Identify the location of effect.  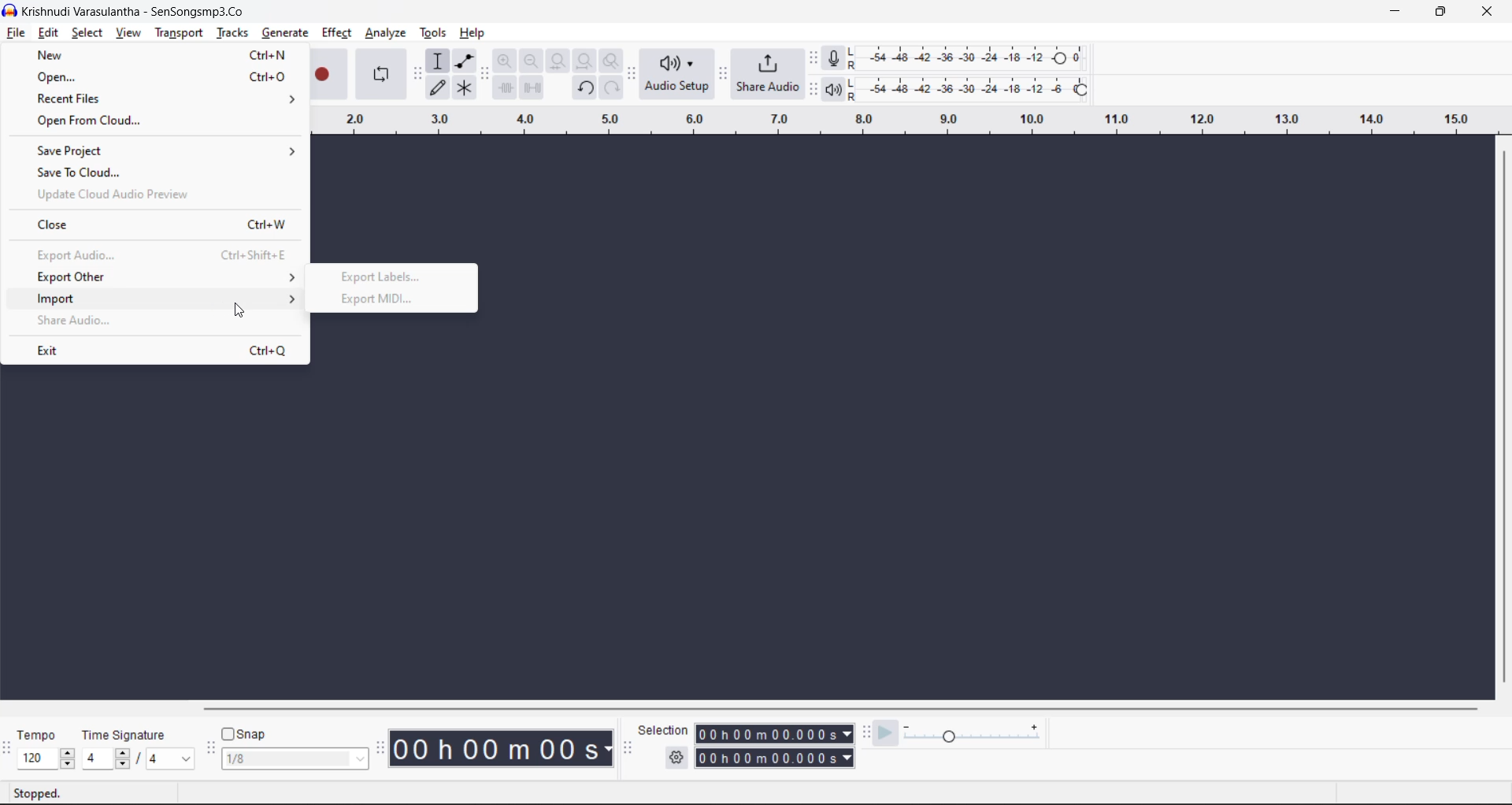
(336, 33).